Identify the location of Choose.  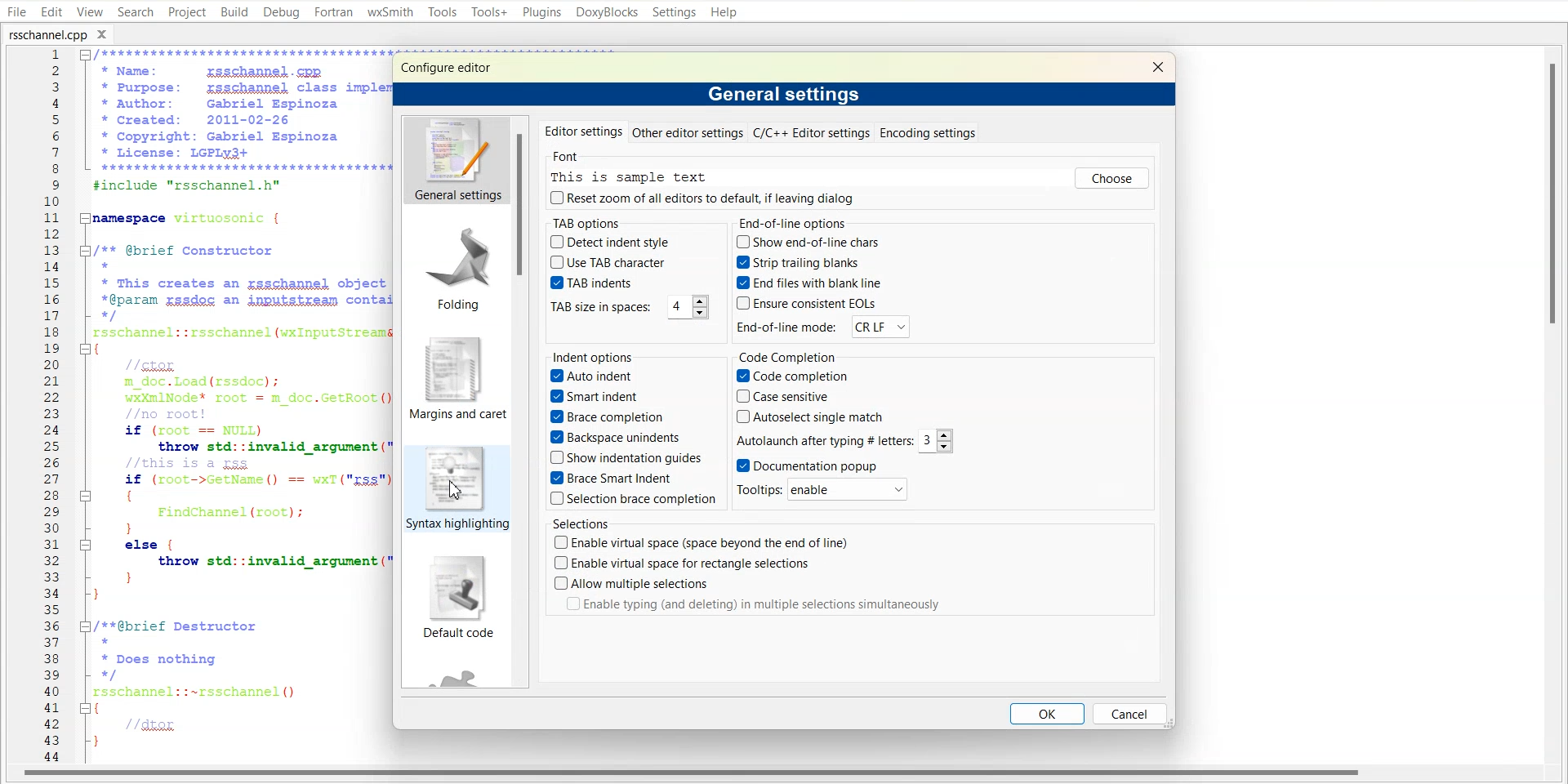
(1114, 176).